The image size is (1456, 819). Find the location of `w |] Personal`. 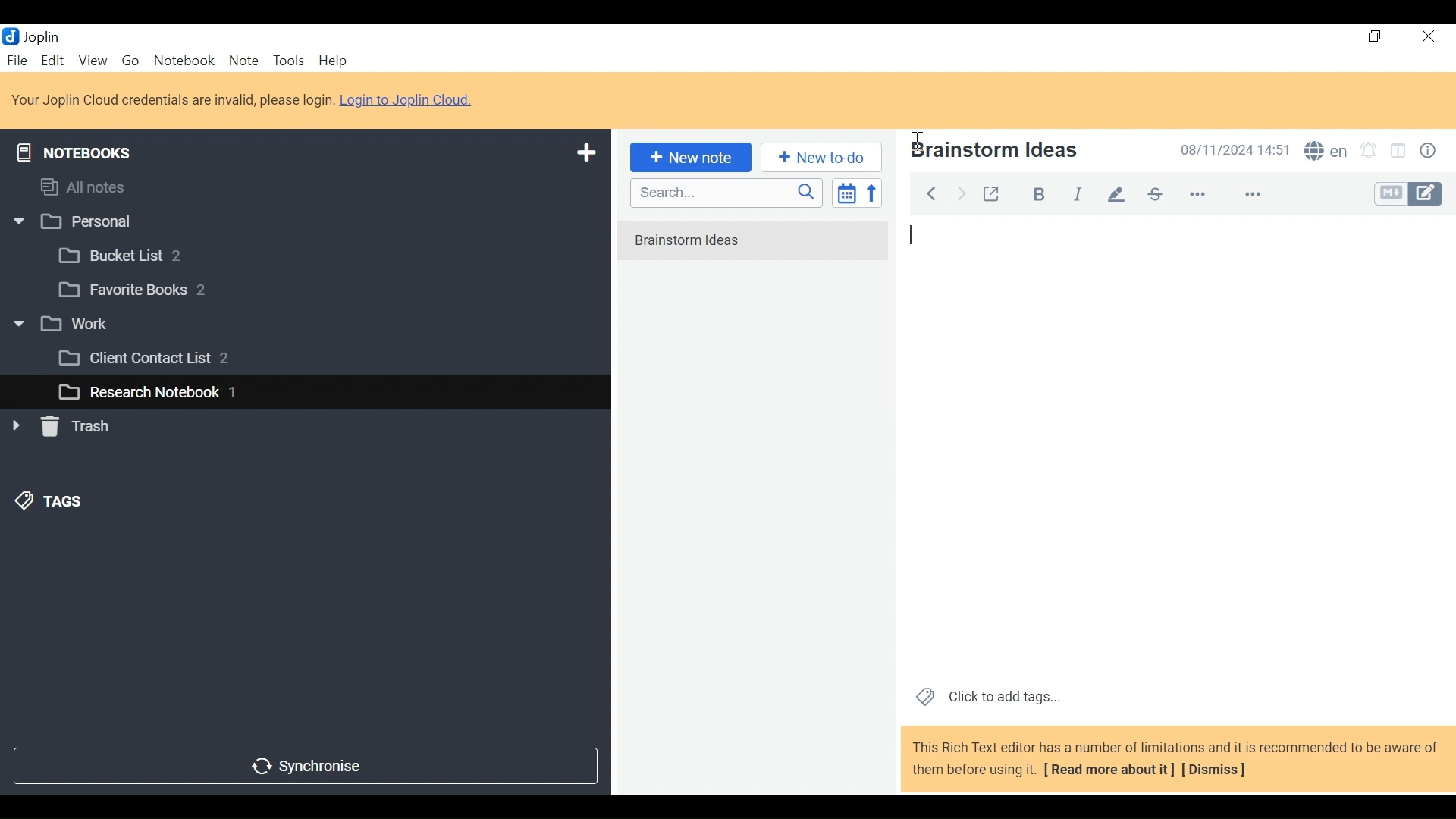

w |] Personal is located at coordinates (81, 223).